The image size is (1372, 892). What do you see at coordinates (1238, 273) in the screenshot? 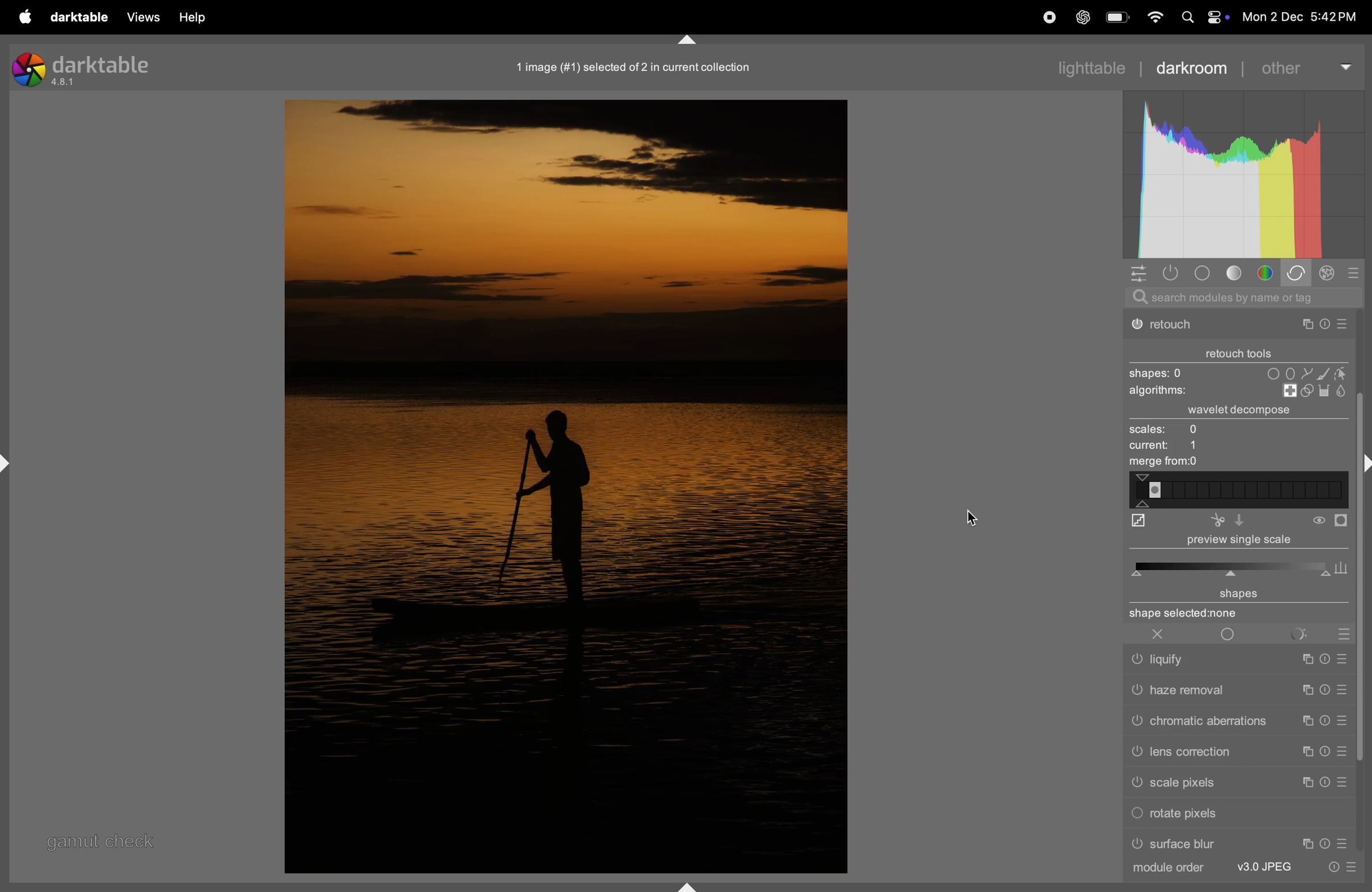
I see `tones` at bounding box center [1238, 273].